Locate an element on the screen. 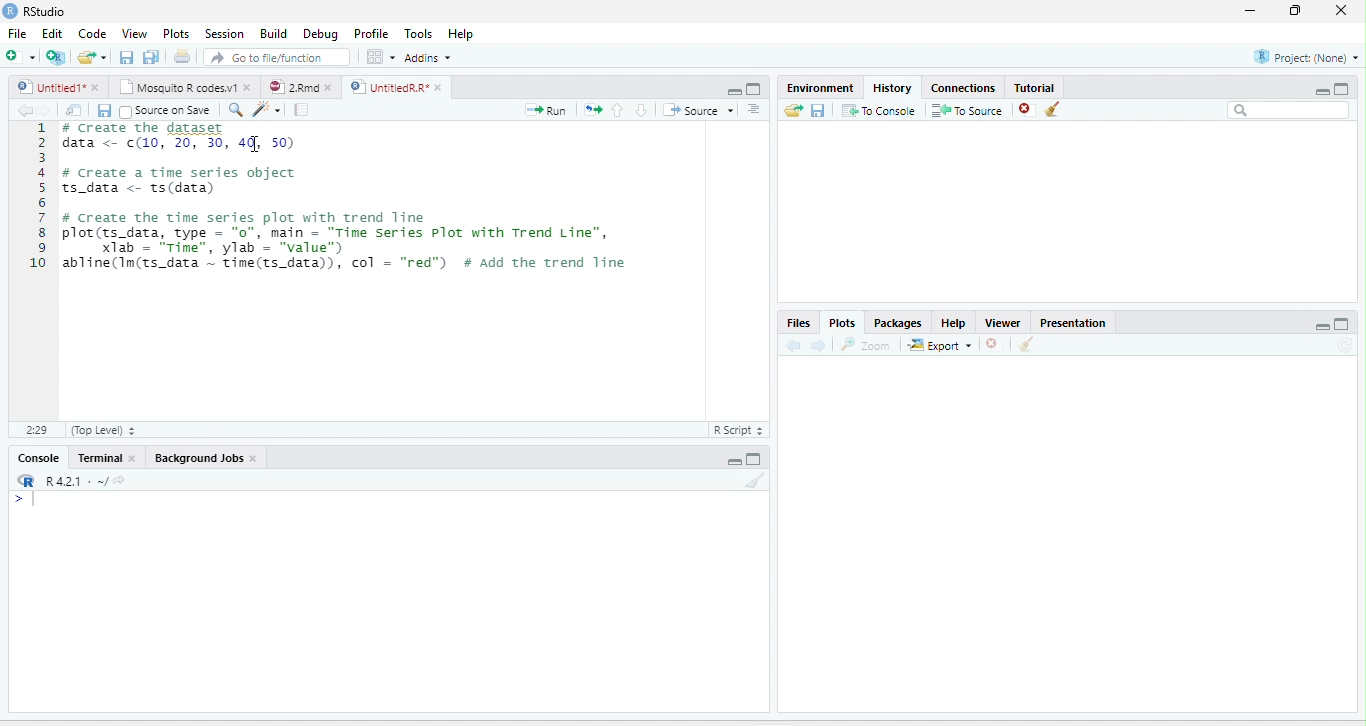 The height and width of the screenshot is (726, 1366). close is located at coordinates (329, 87).